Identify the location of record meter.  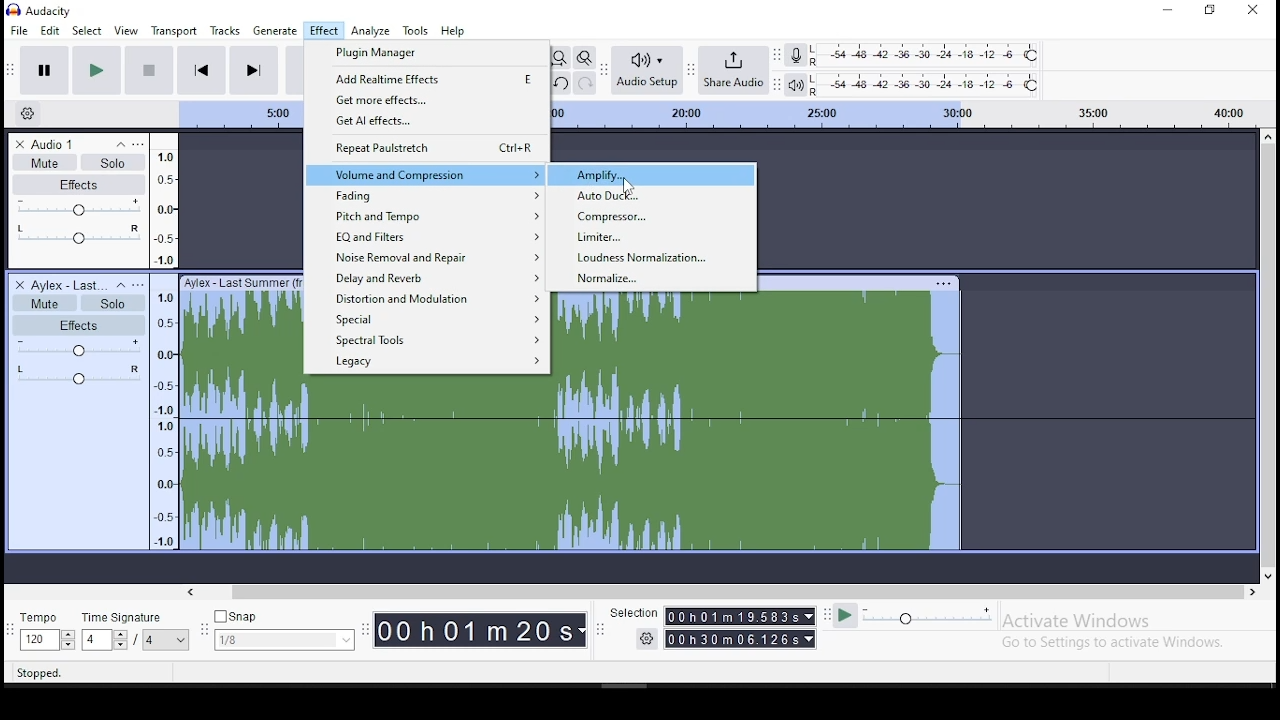
(795, 56).